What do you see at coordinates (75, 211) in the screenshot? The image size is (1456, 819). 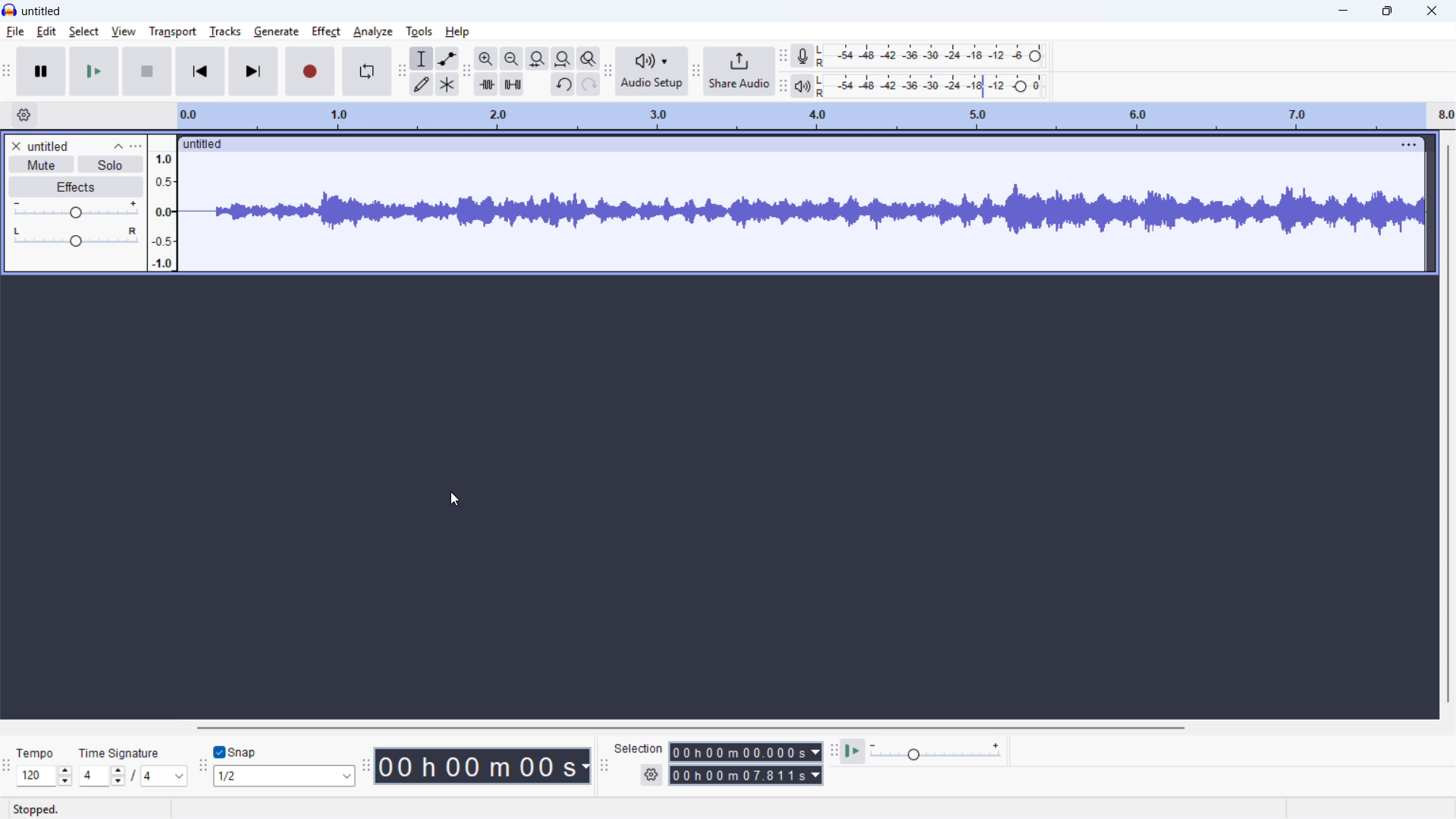 I see `gain` at bounding box center [75, 211].